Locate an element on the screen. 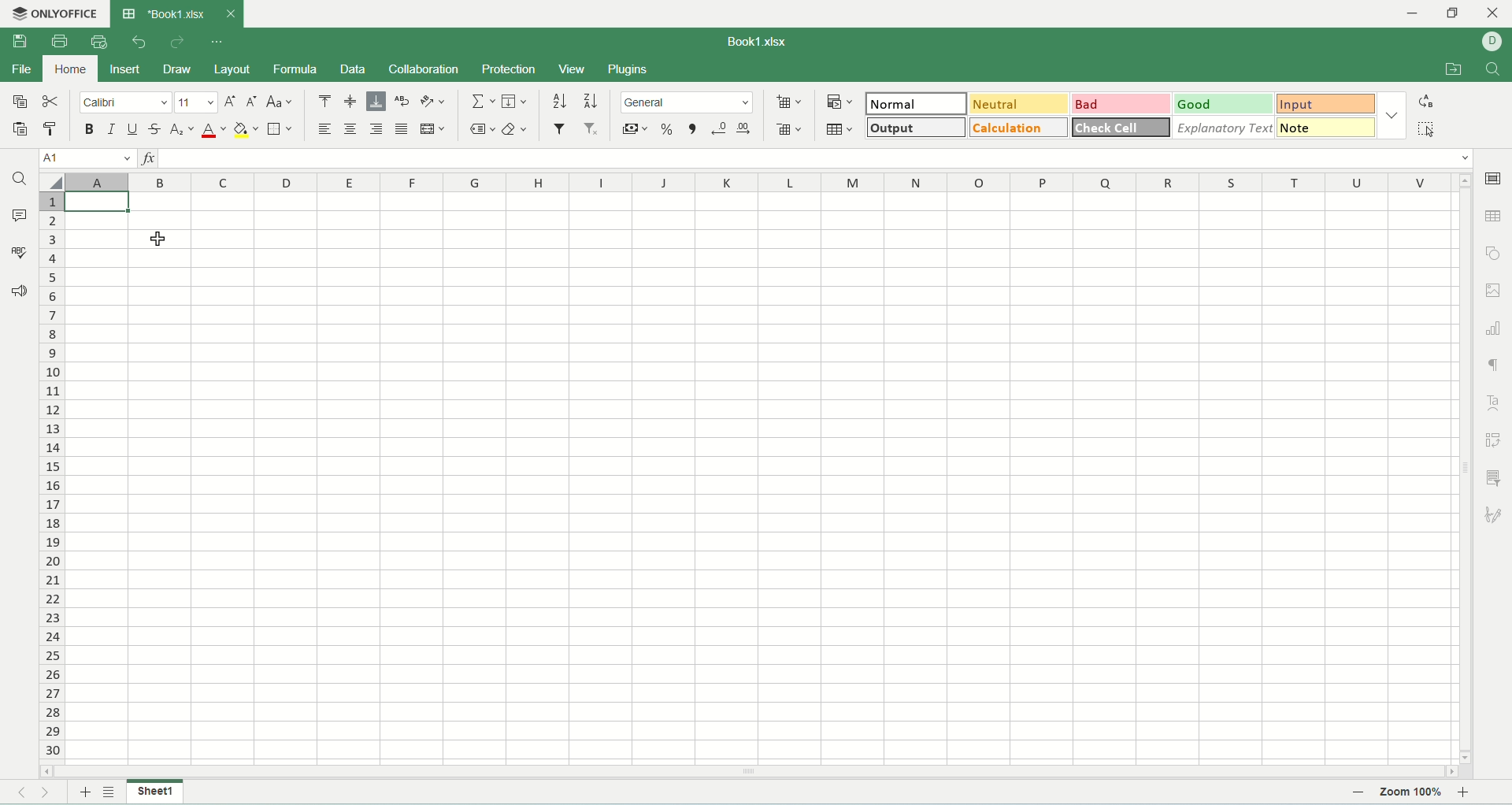 This screenshot has height=805, width=1512. note is located at coordinates (1329, 129).